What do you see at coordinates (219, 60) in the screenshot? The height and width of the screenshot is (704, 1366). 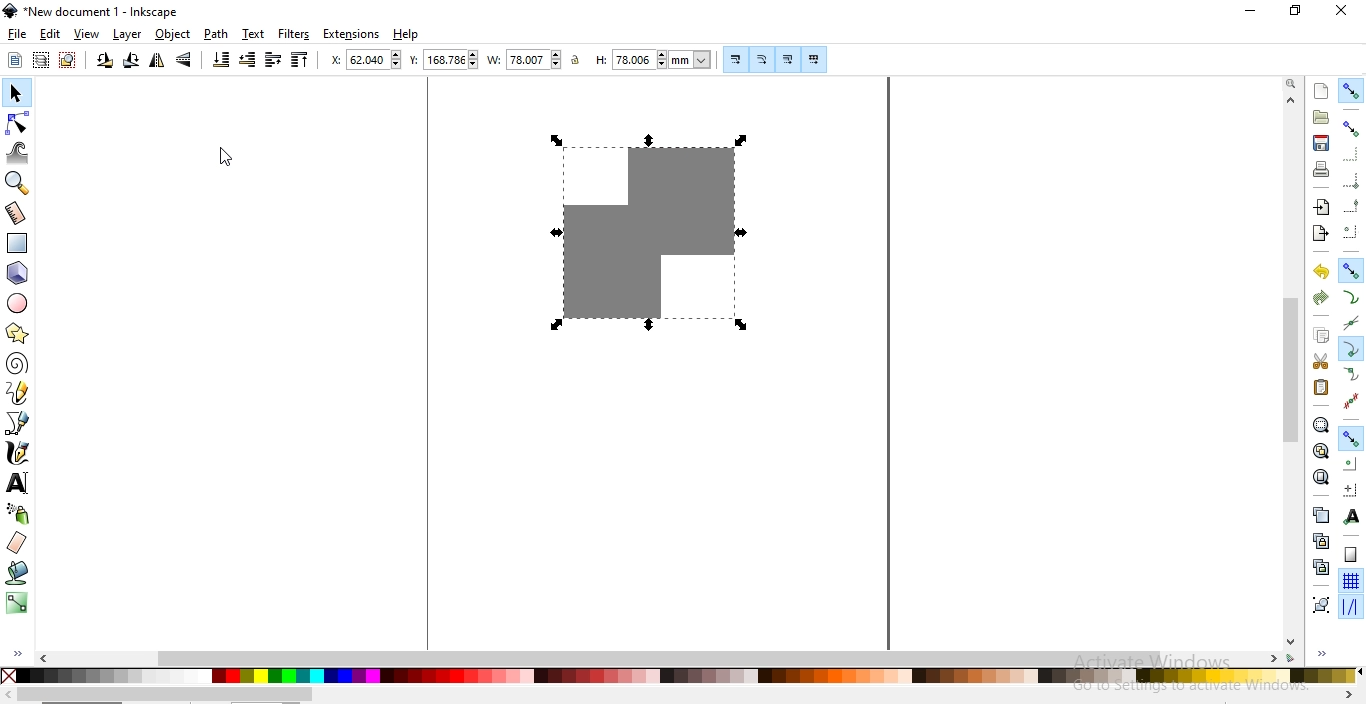 I see `lower selection to bottom` at bounding box center [219, 60].